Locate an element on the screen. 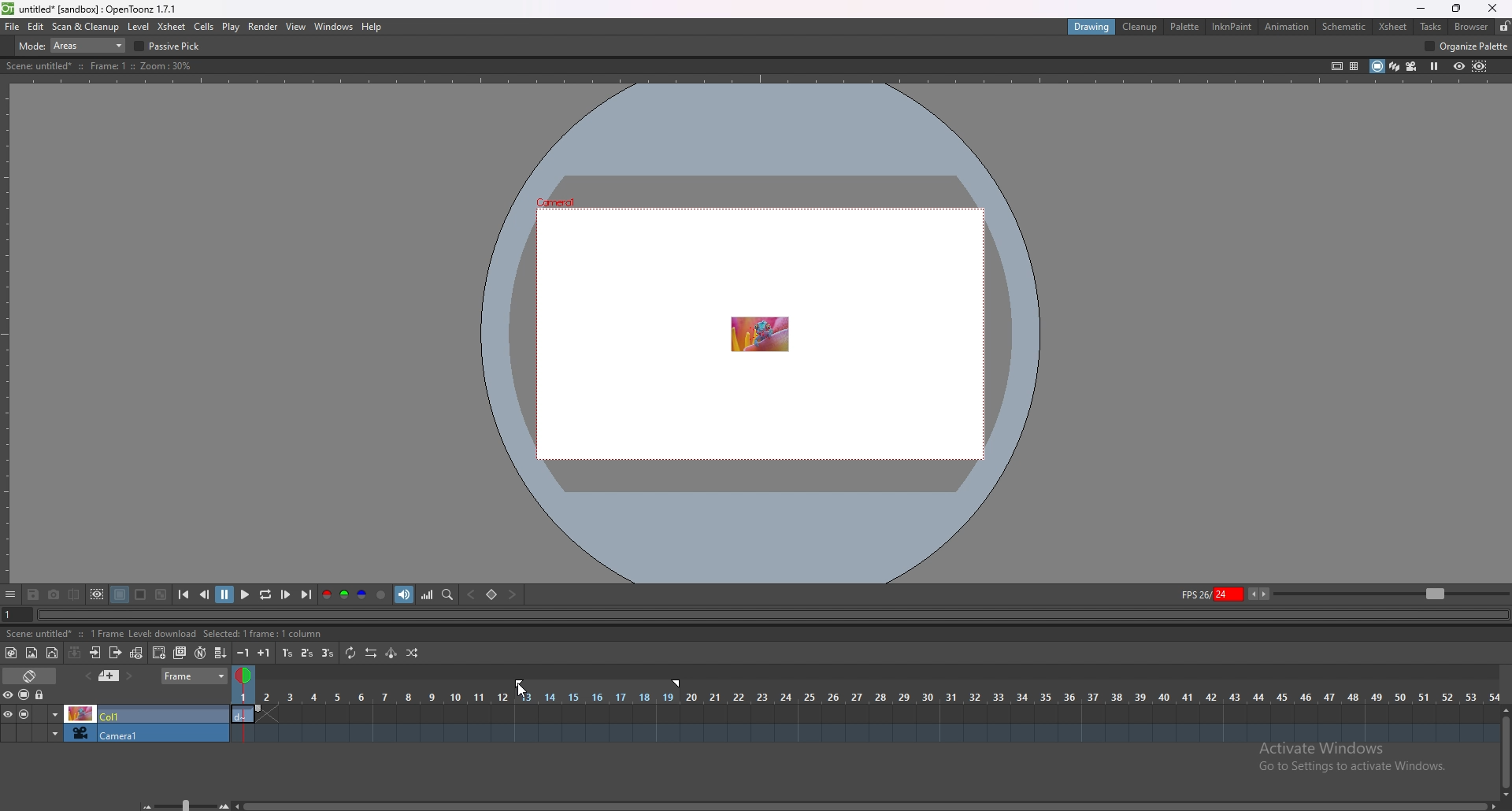 Image resolution: width=1512 pixels, height=811 pixels. toggle timeline is located at coordinates (30, 676).